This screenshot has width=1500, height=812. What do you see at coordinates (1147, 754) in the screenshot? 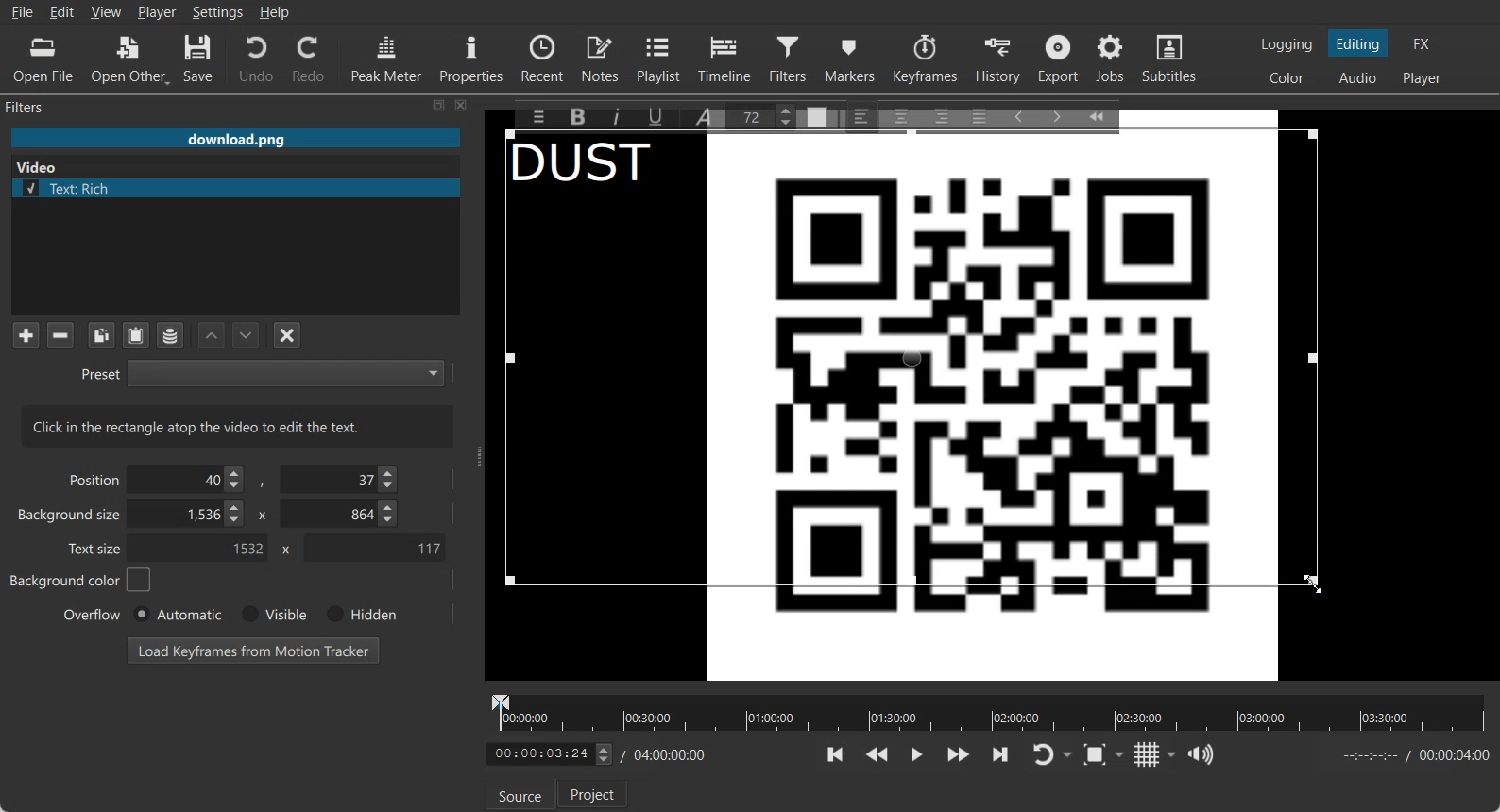
I see `Toggle grid display on the player` at bounding box center [1147, 754].